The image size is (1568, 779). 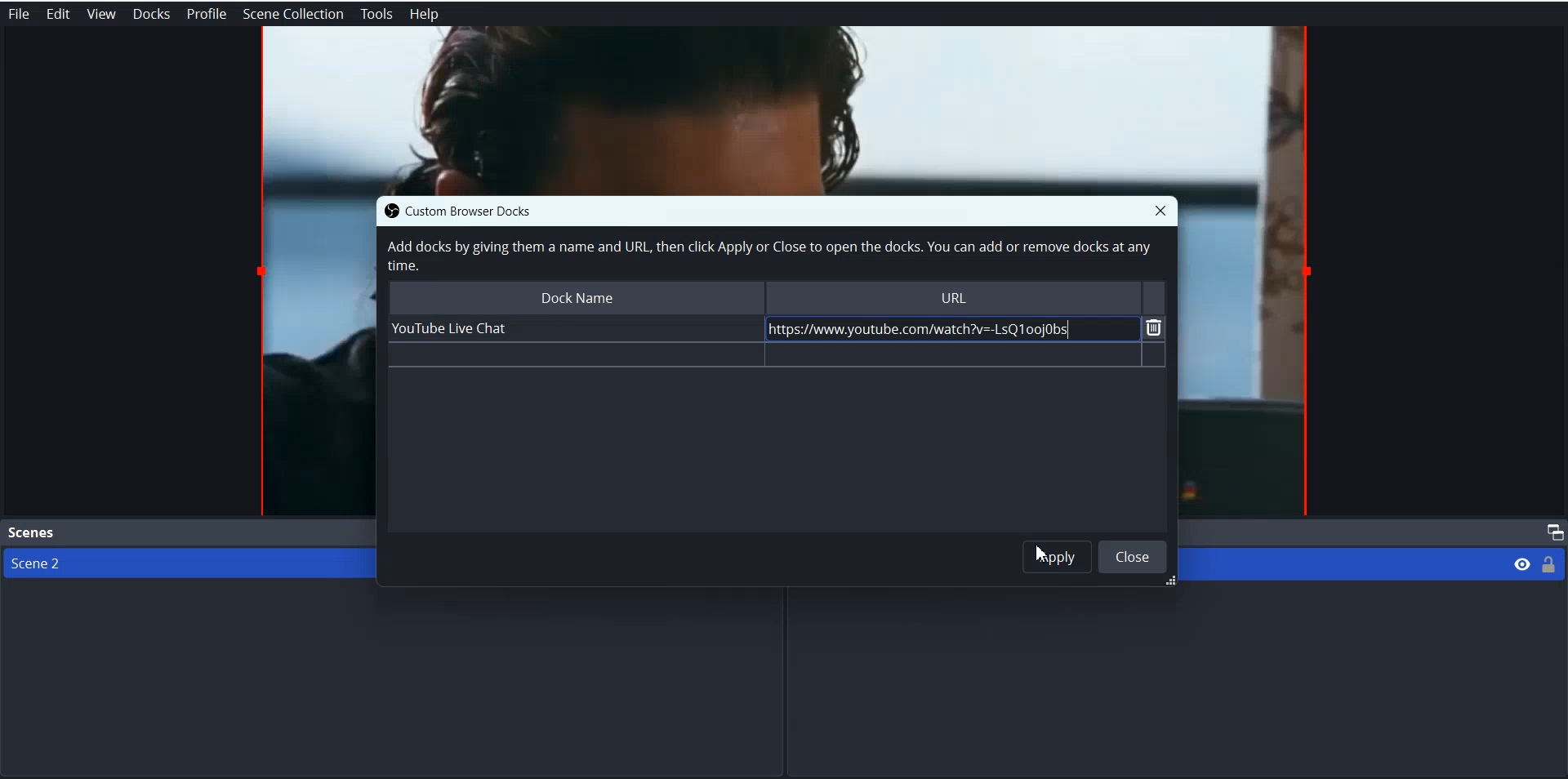 What do you see at coordinates (784, 109) in the screenshot?
I see `File Preview window` at bounding box center [784, 109].